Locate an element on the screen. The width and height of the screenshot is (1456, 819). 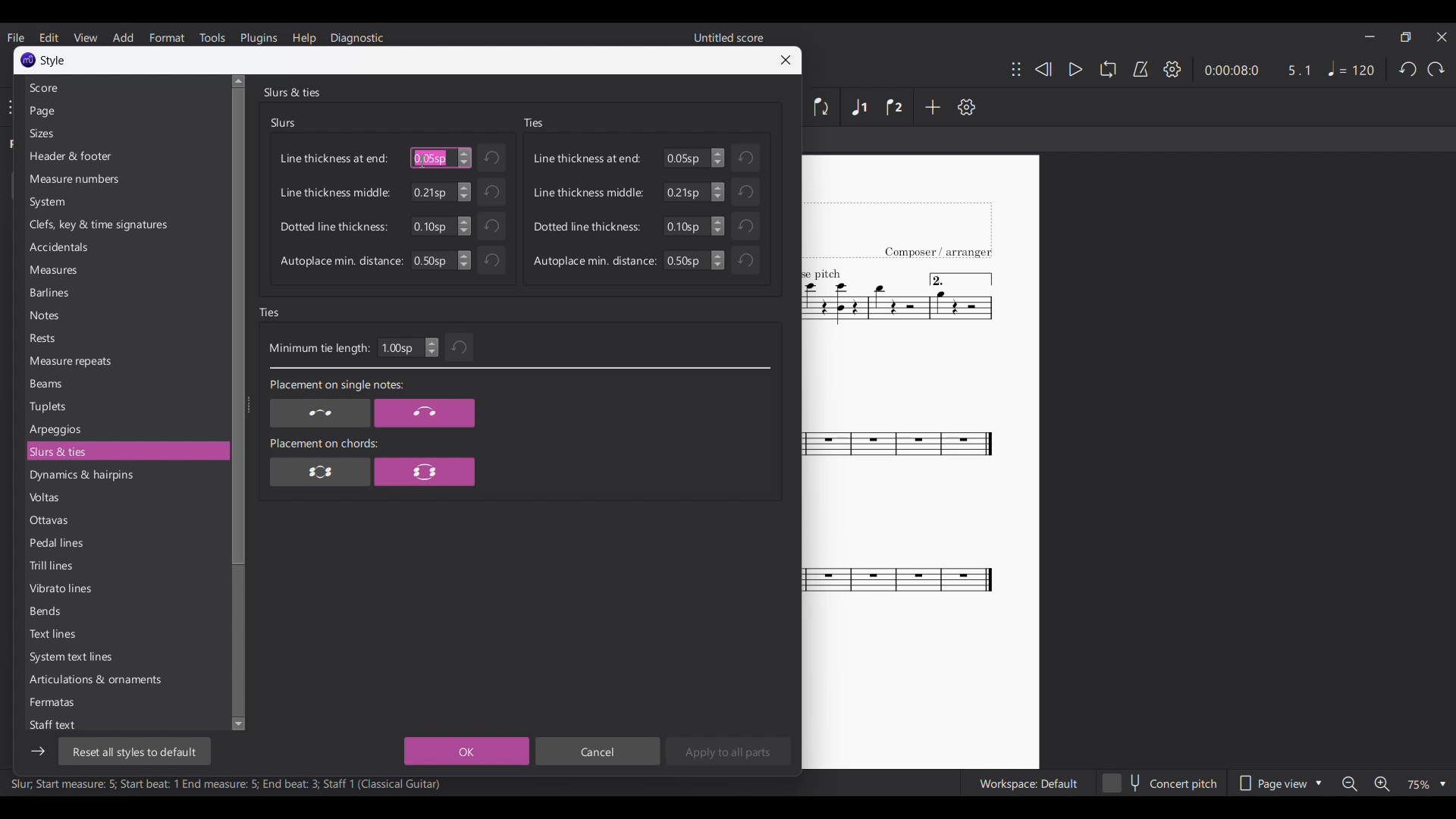
Undo is located at coordinates (492, 158).